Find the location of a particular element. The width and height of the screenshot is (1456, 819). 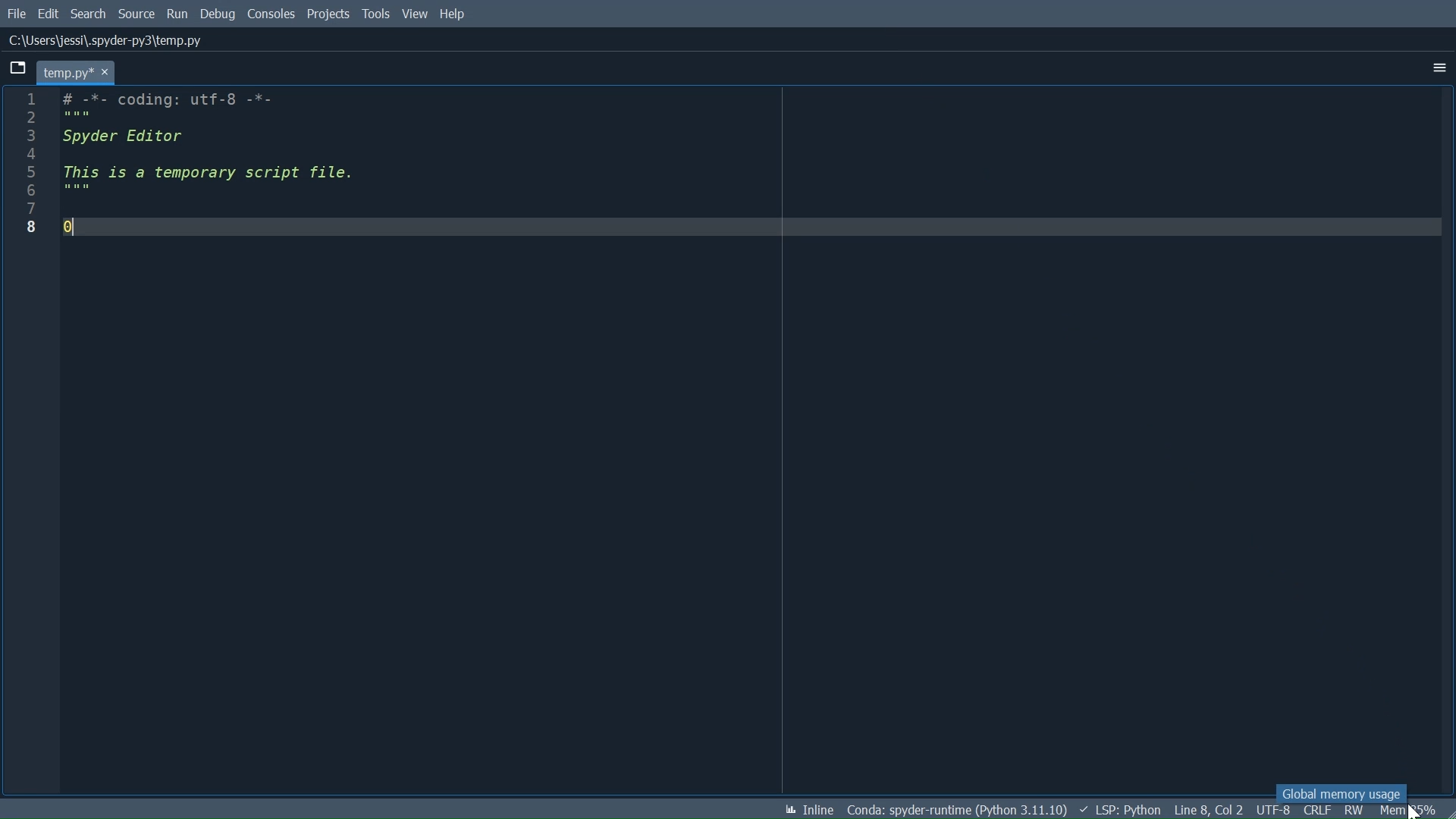

Debug is located at coordinates (219, 13).